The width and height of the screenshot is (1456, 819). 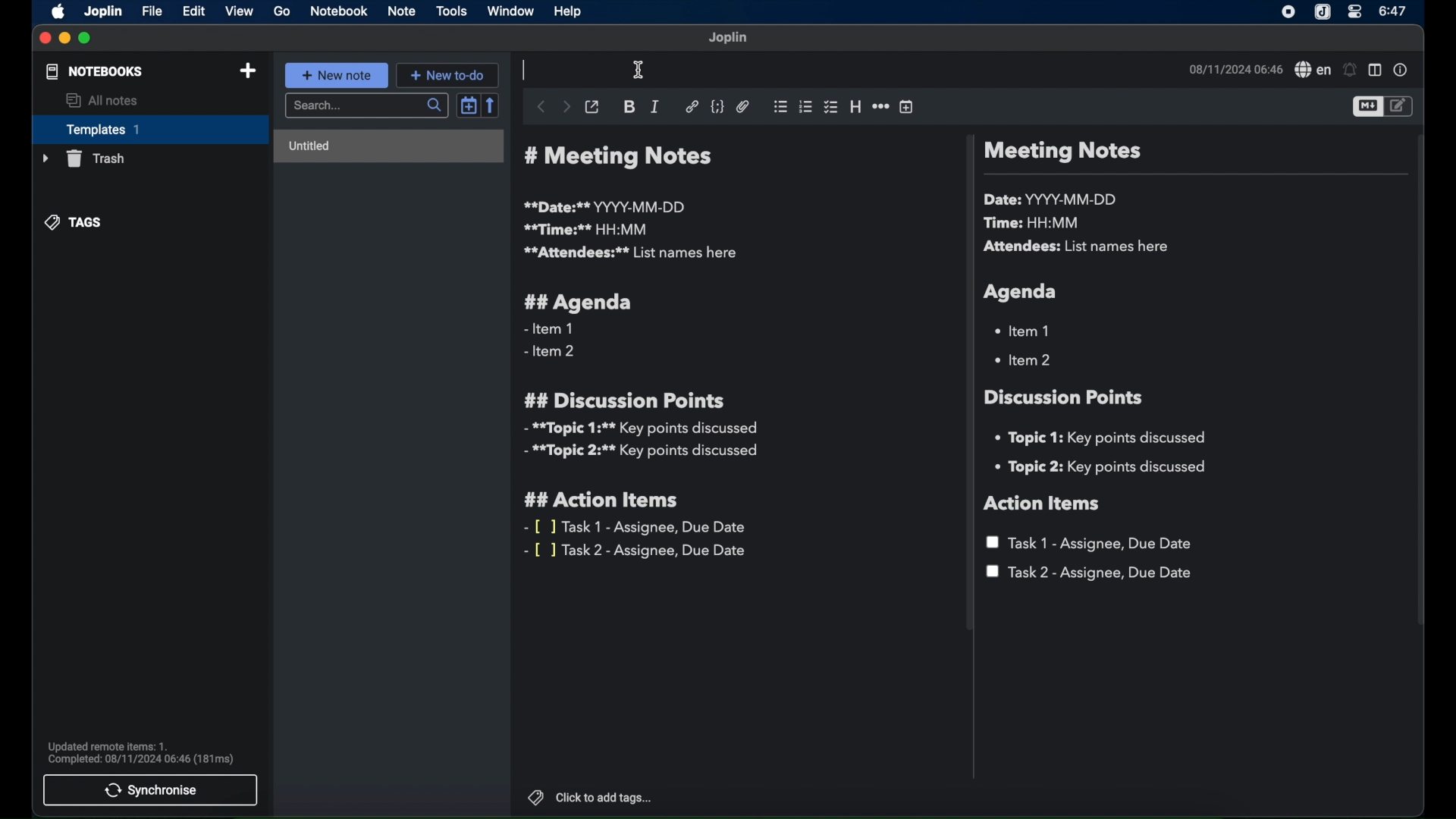 I want to click on - **topic 2:** key points discussed, so click(x=642, y=453).